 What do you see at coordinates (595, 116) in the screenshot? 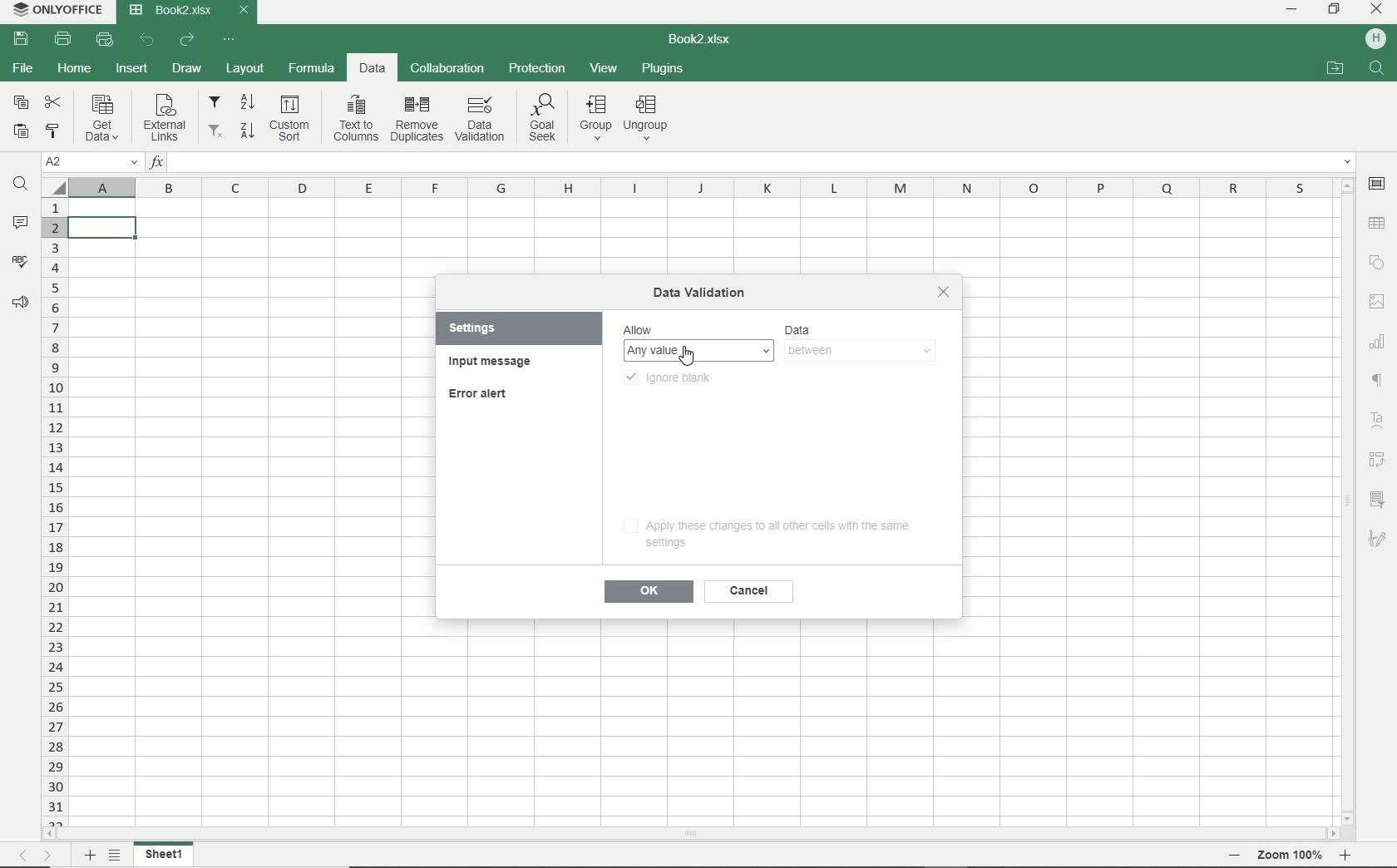
I see `group` at bounding box center [595, 116].